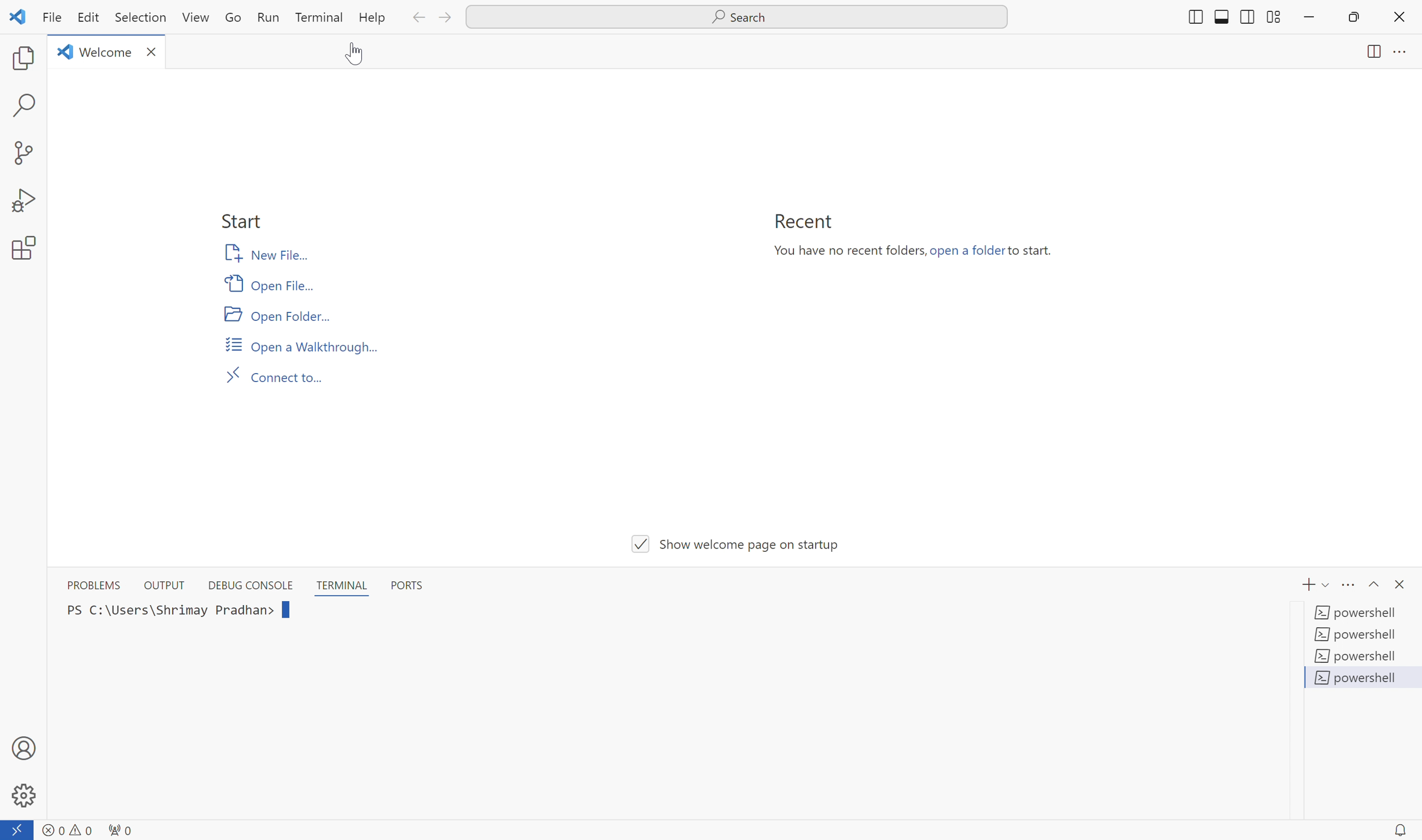  Describe the element at coordinates (18, 16) in the screenshot. I see `icon` at that location.